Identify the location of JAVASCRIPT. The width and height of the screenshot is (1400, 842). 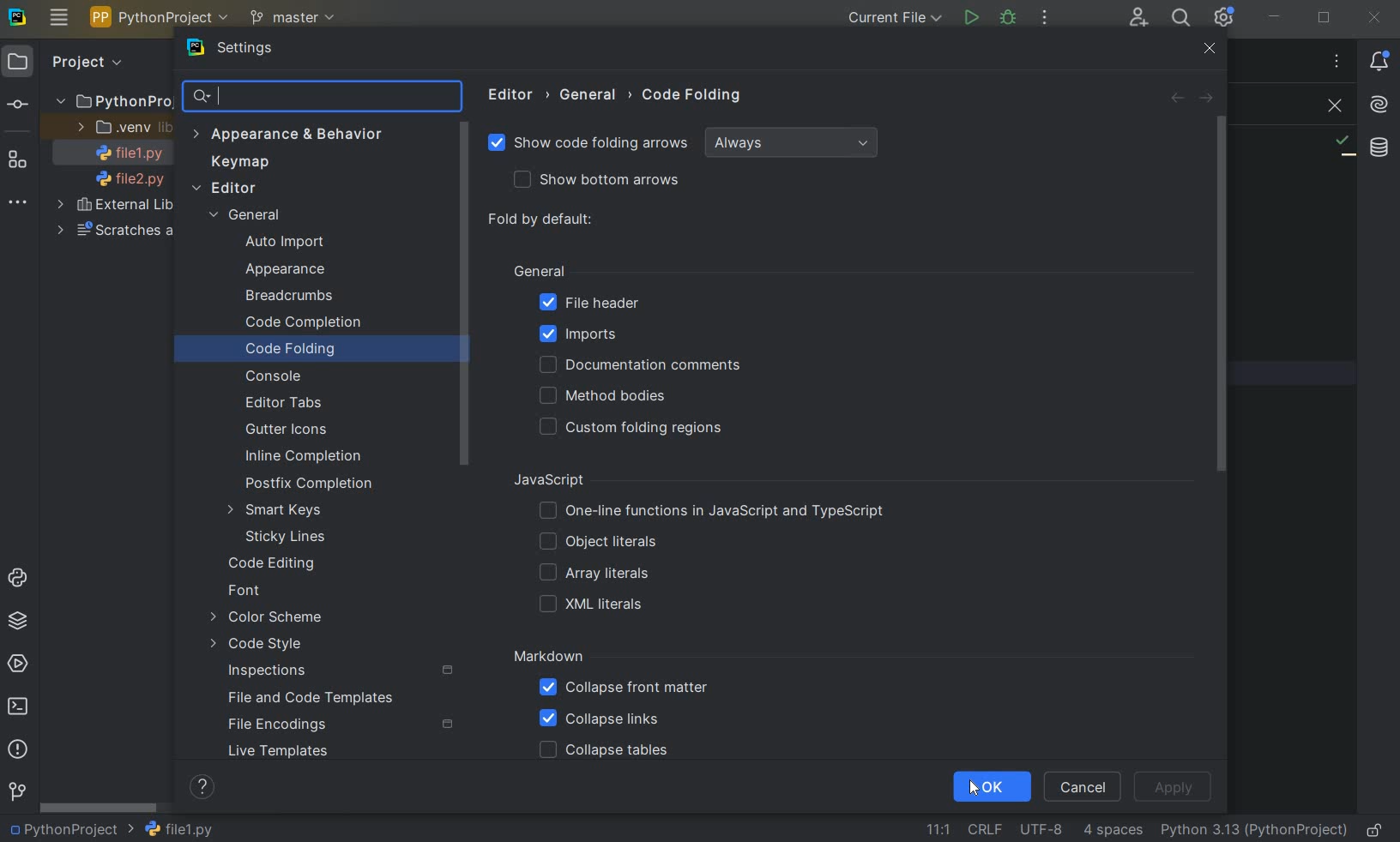
(568, 480).